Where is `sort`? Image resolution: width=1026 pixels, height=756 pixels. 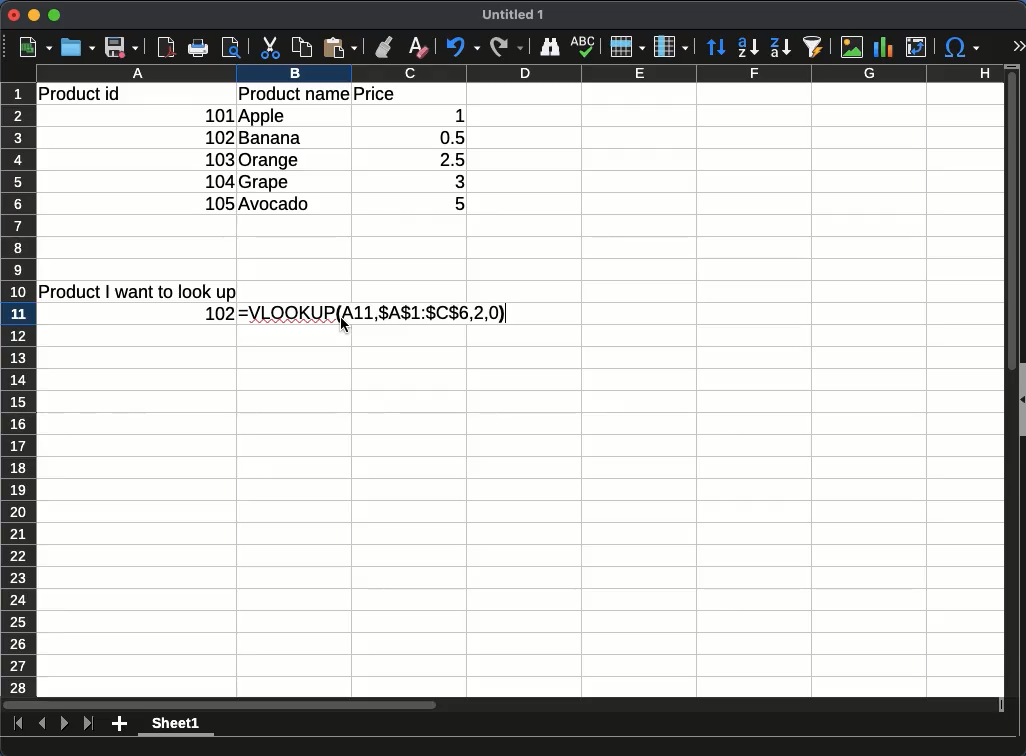 sort is located at coordinates (813, 47).